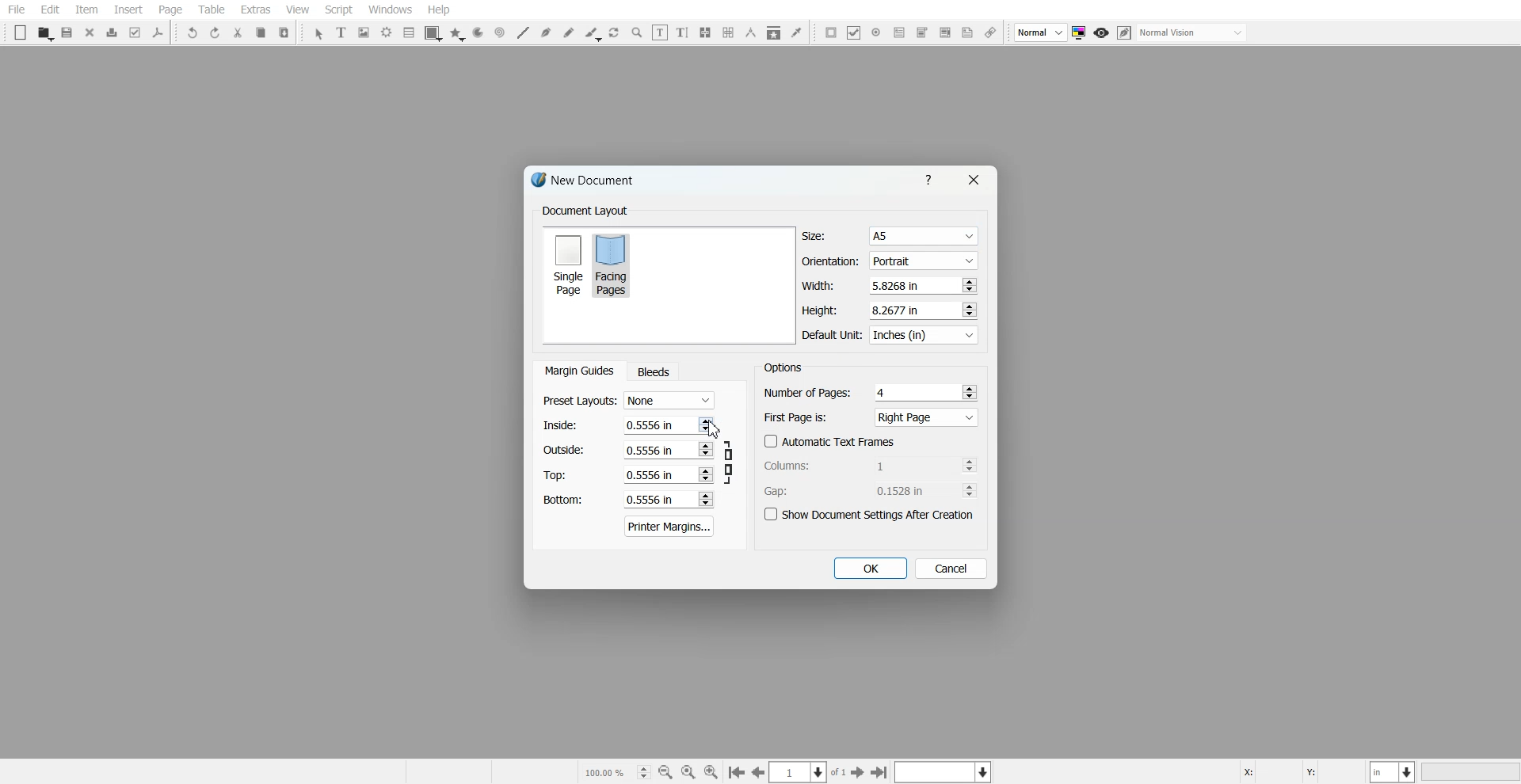 This screenshot has height=784, width=1521. Describe the element at coordinates (968, 285) in the screenshot. I see `Increase and decrease No. ` at that location.